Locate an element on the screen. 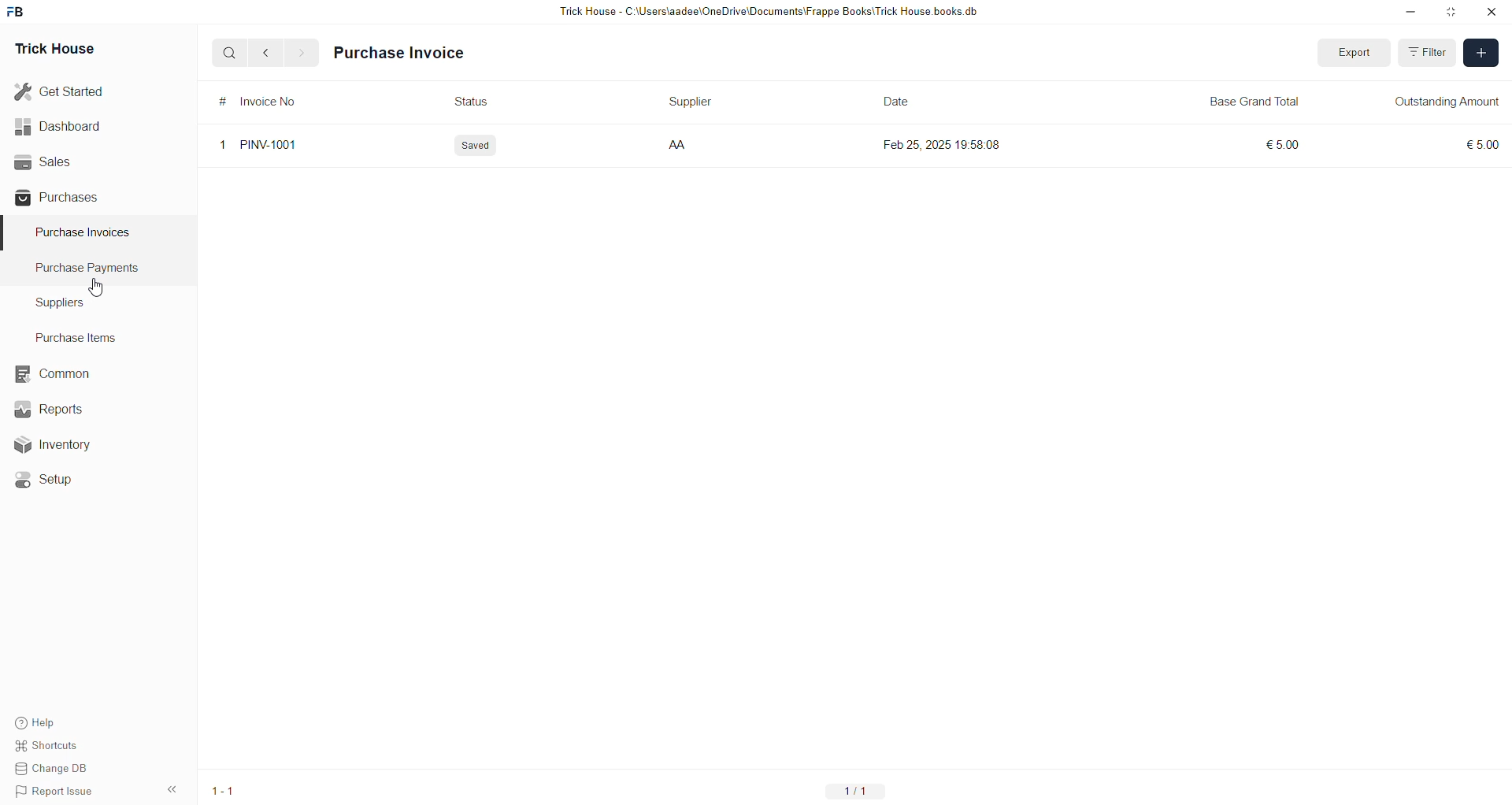  Feb 25, 2025 19:58:08 is located at coordinates (936, 147).